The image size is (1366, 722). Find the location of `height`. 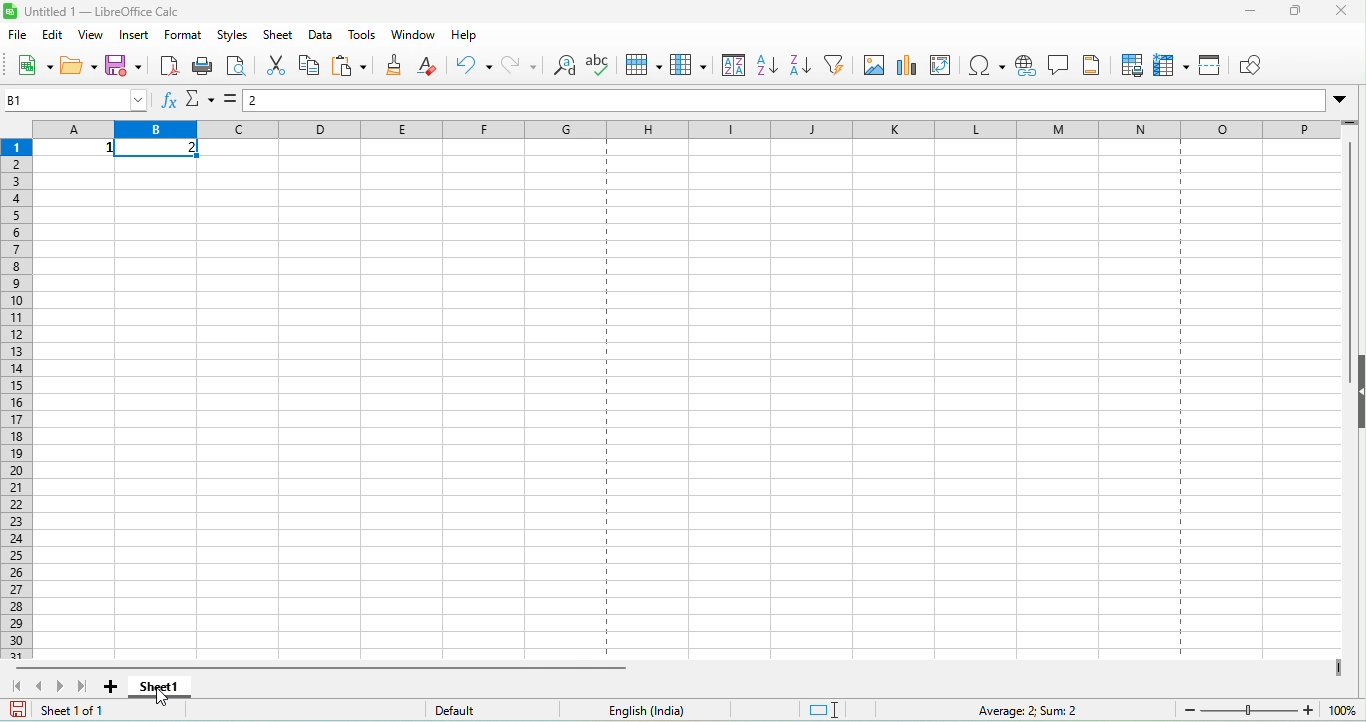

height is located at coordinates (1356, 392).